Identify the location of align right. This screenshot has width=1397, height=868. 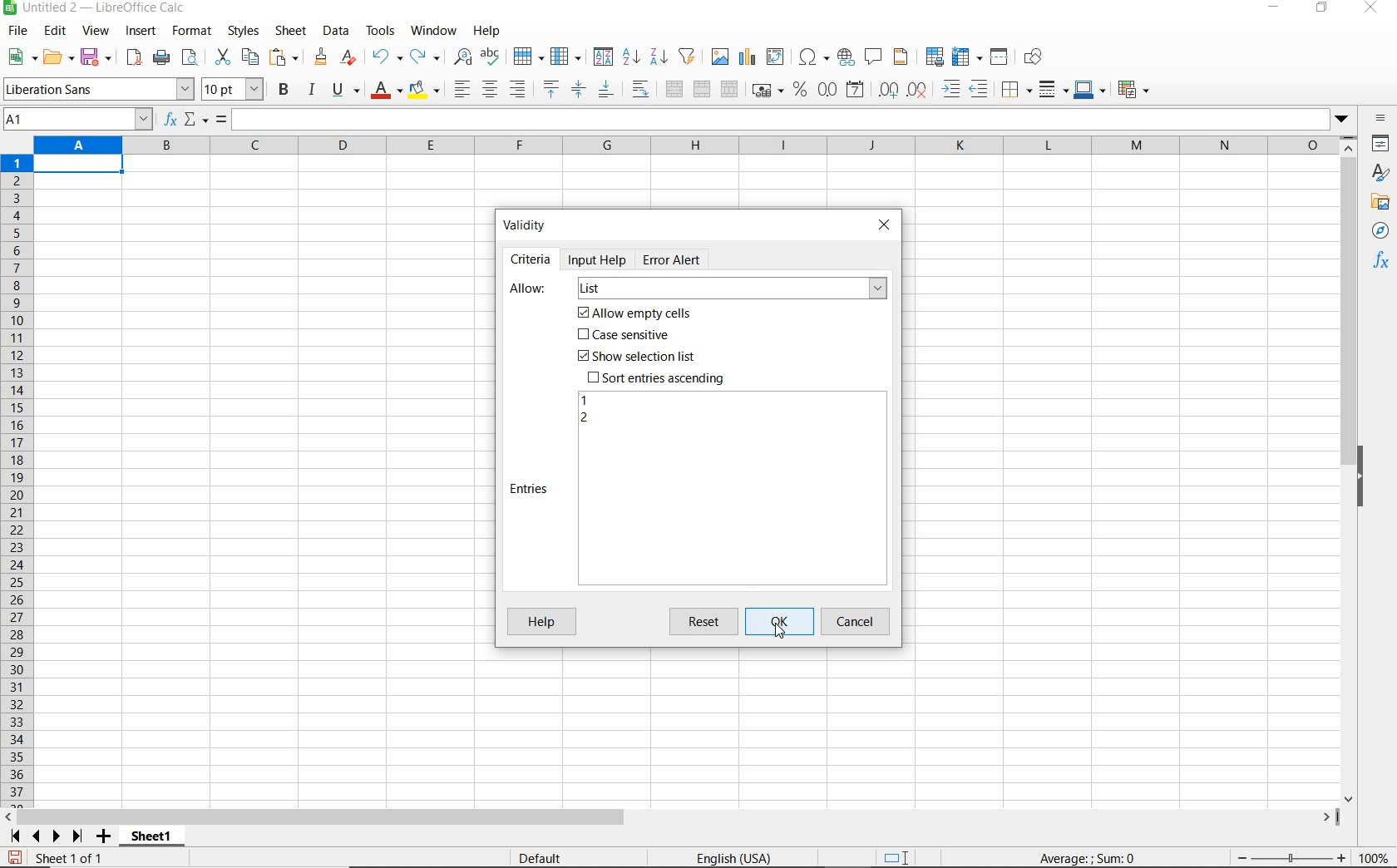
(519, 89).